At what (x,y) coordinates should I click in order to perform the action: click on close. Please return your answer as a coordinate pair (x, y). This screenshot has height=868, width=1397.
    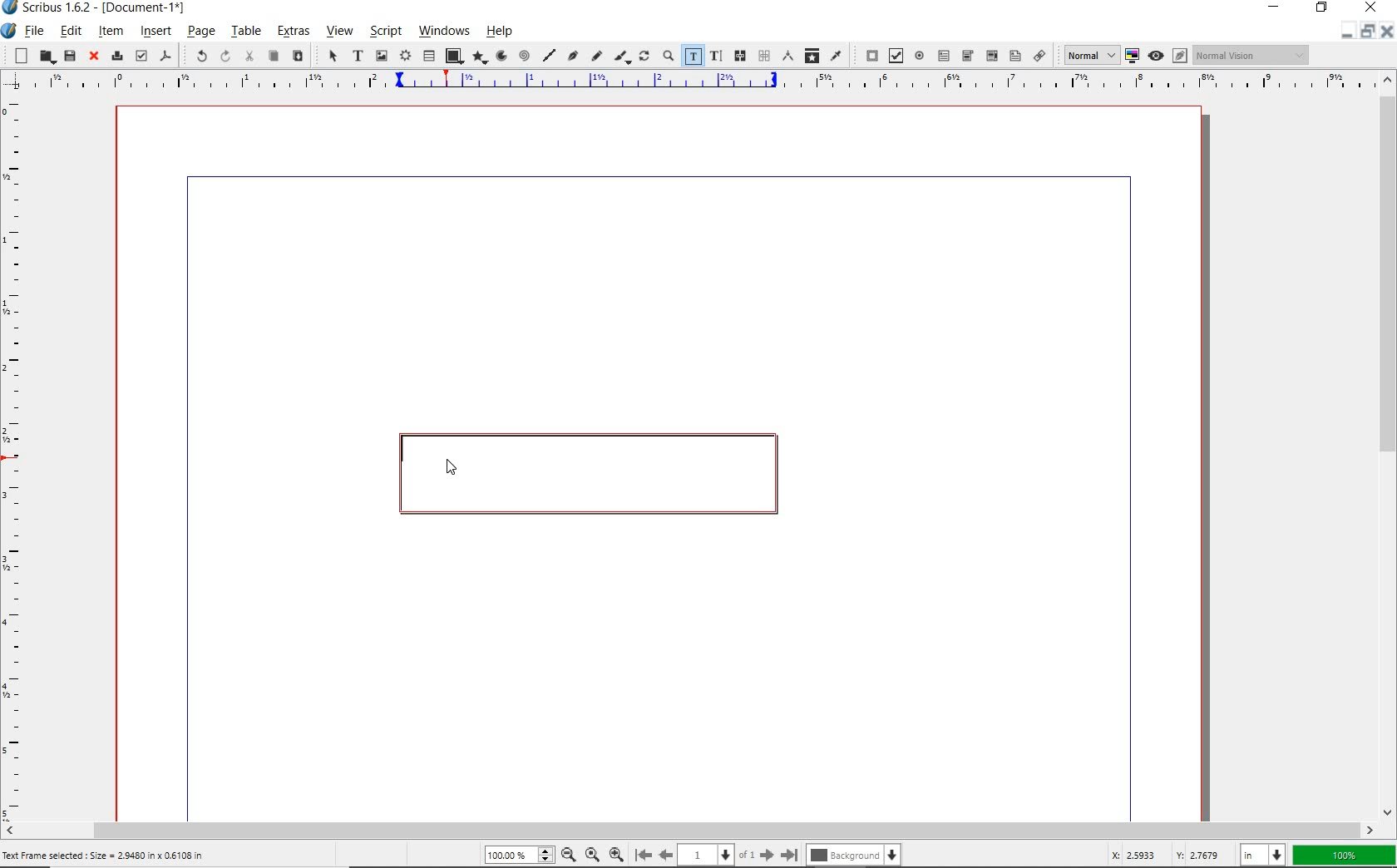
    Looking at the image, I should click on (91, 57).